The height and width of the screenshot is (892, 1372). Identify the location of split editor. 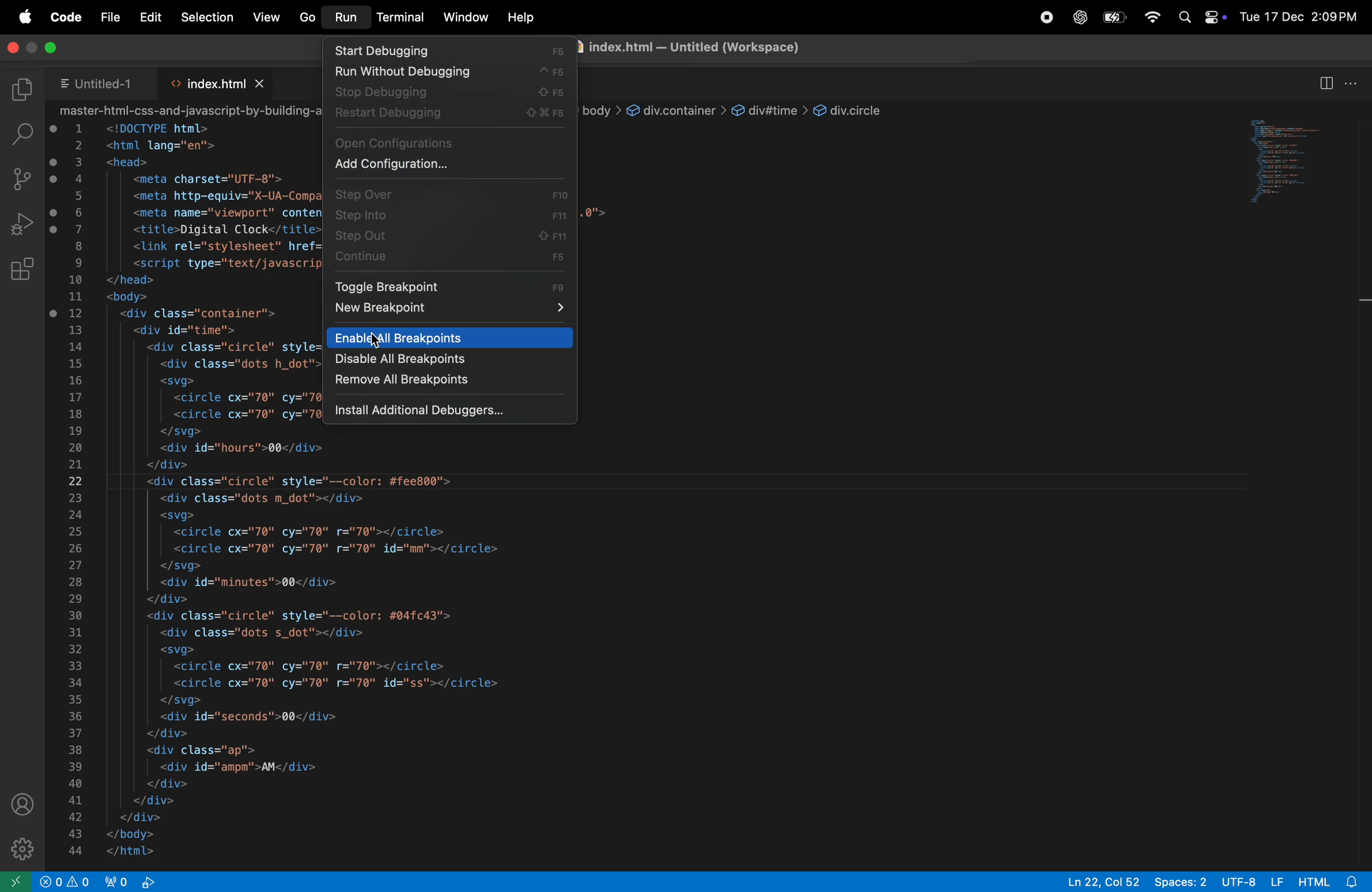
(1326, 81).